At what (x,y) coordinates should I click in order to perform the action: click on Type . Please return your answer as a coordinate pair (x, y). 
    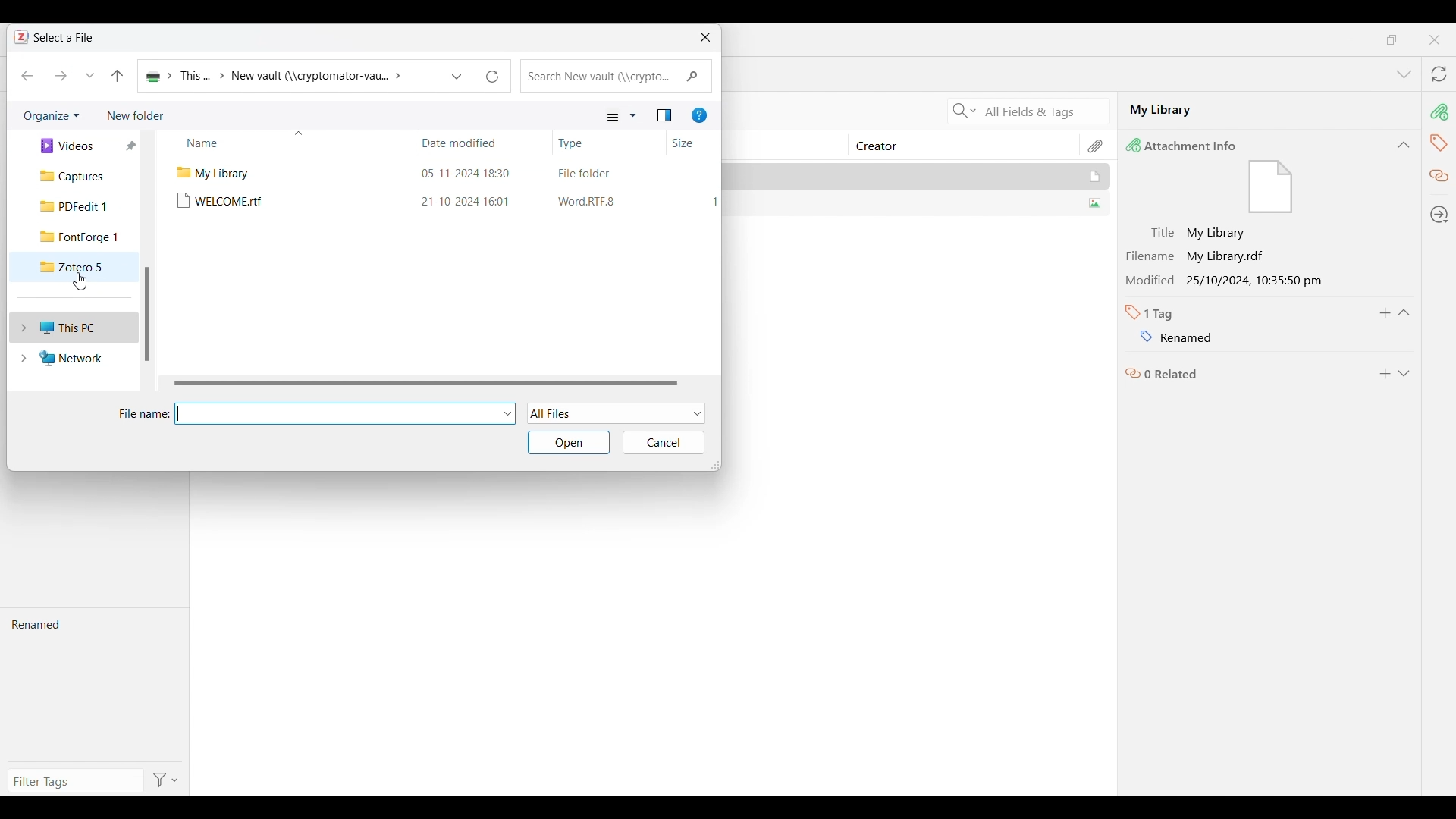
    Looking at the image, I should click on (575, 144).